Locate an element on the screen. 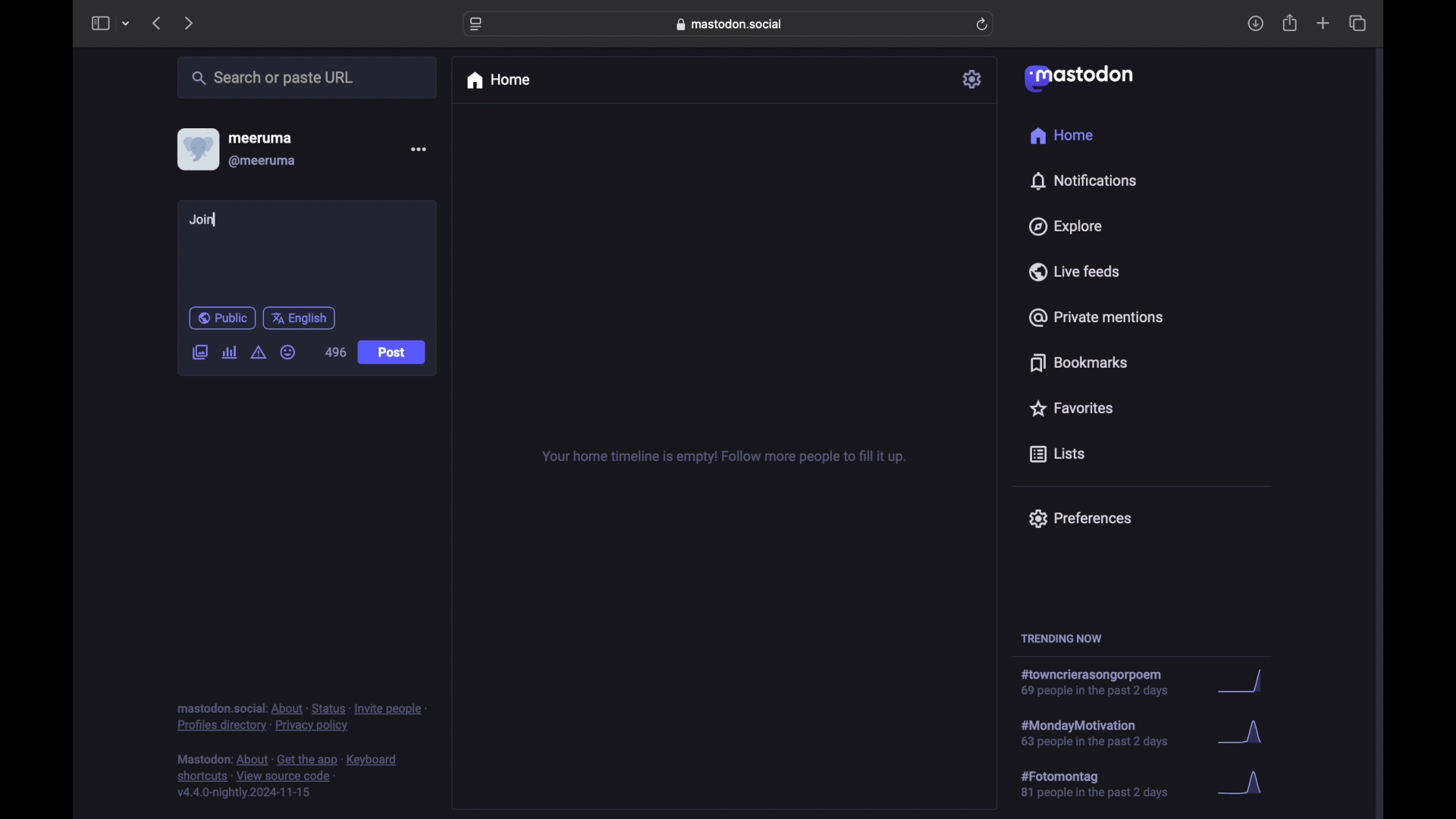 The image size is (1456, 819). search or paste url is located at coordinates (272, 78).